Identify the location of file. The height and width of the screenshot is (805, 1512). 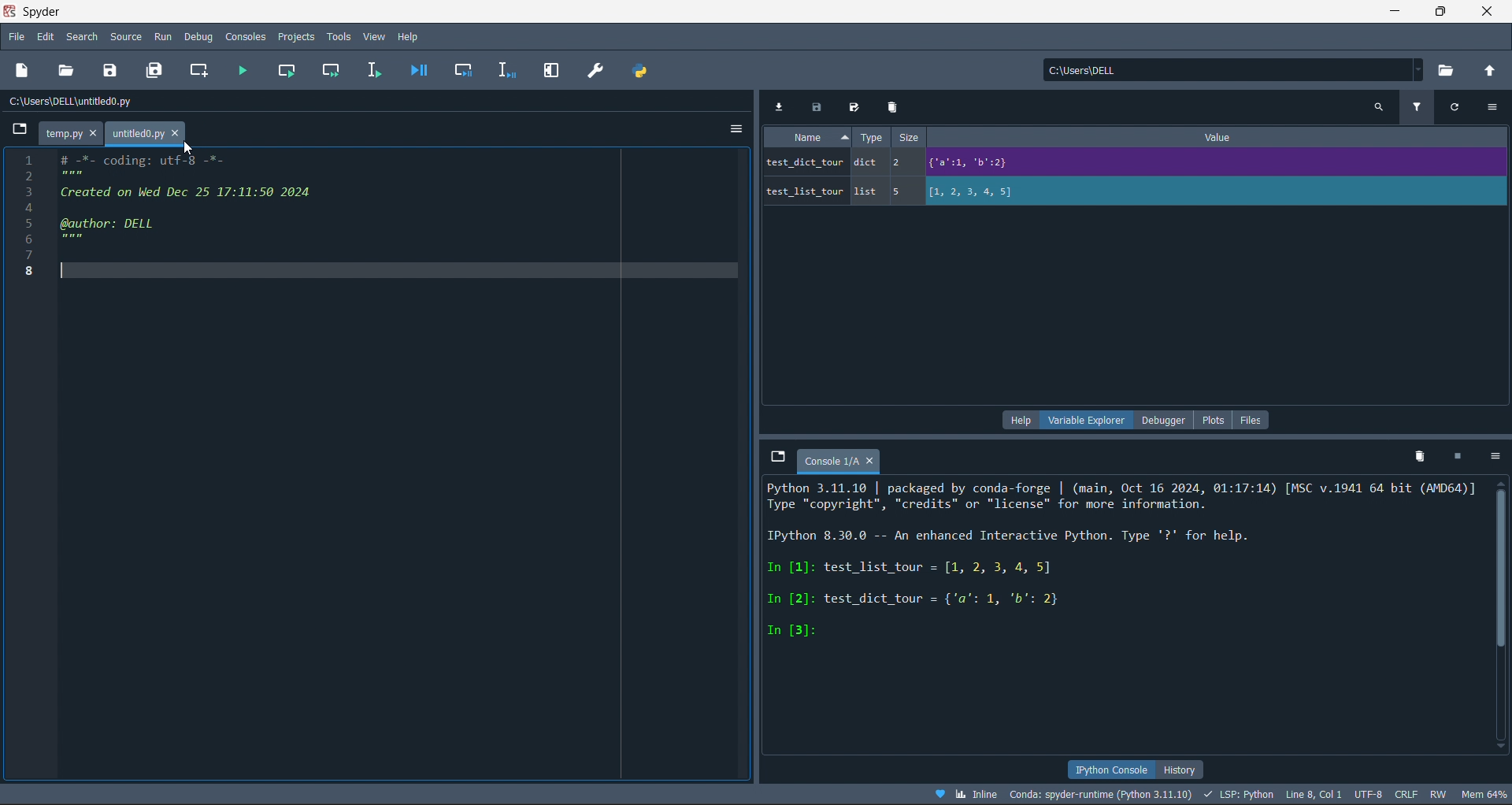
(15, 38).